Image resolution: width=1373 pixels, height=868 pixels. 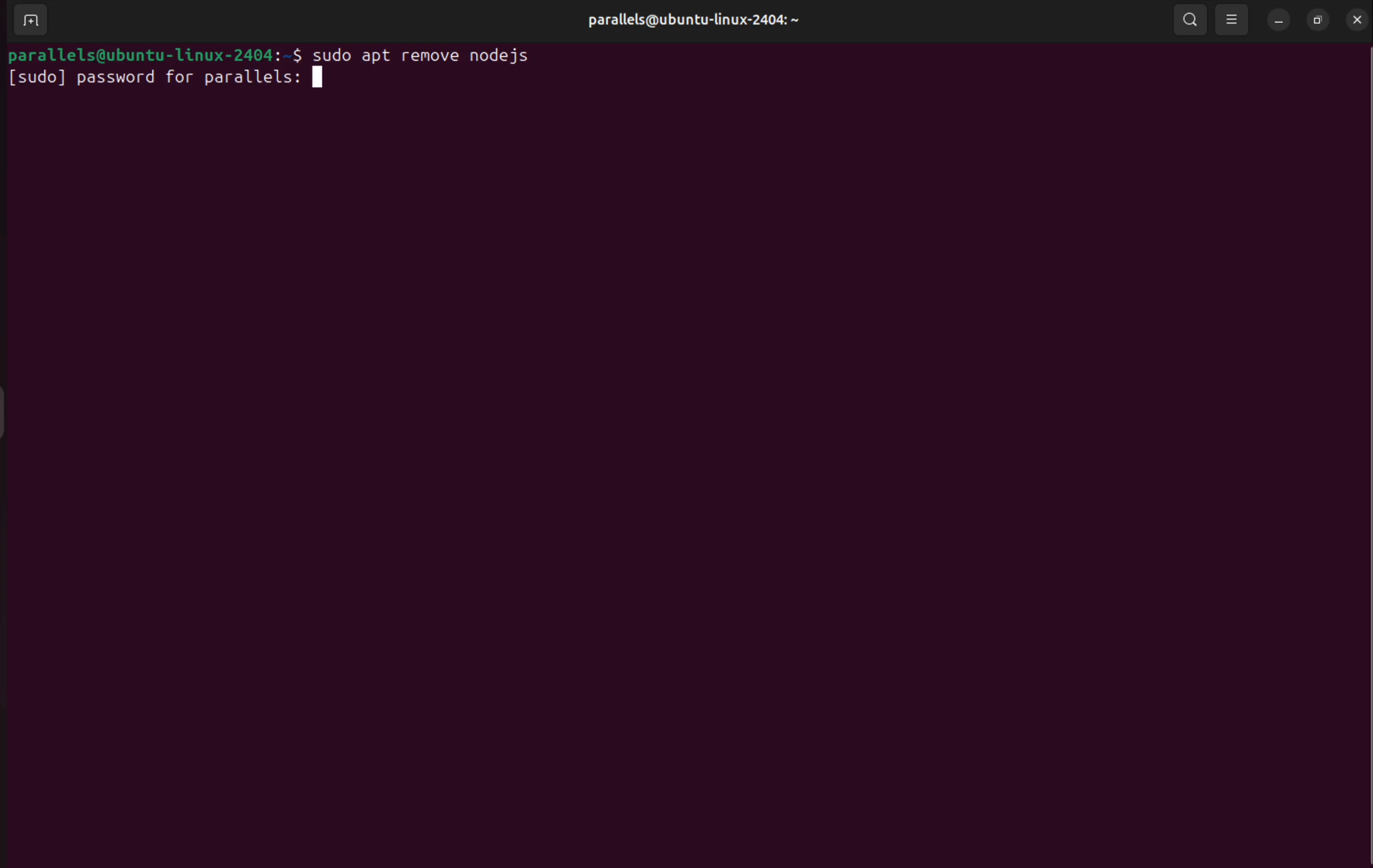 What do you see at coordinates (1359, 424) in the screenshot?
I see `Scrollbar` at bounding box center [1359, 424].